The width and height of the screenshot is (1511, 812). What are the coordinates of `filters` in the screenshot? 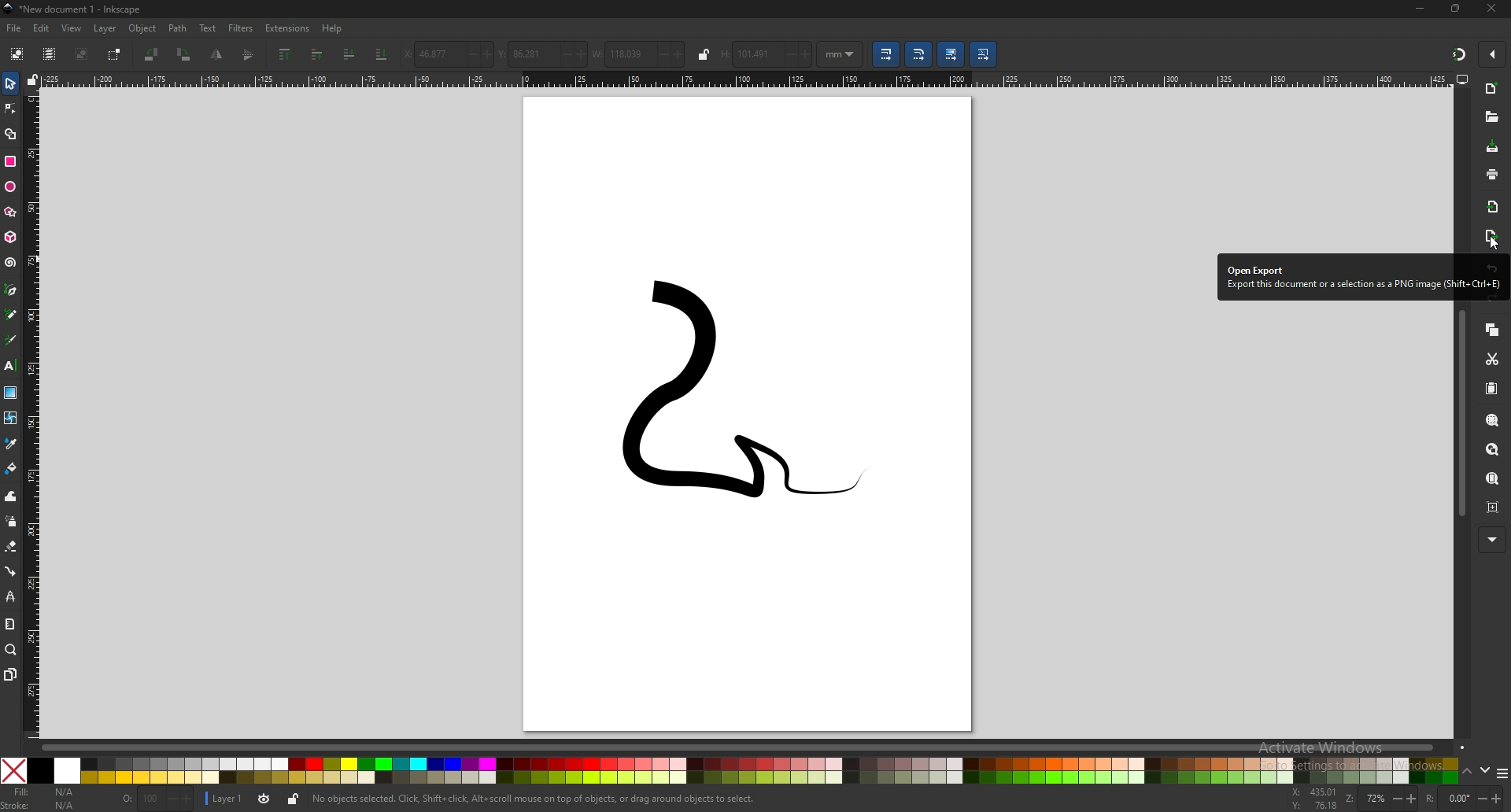 It's located at (242, 28).